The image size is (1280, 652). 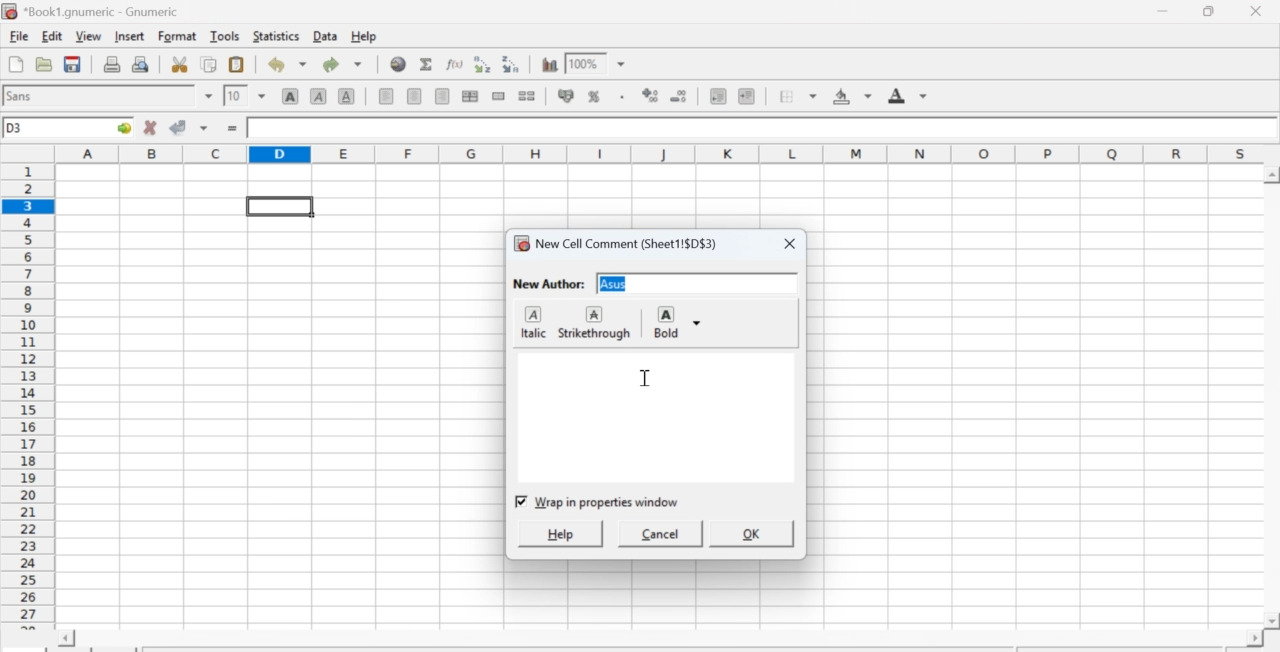 I want to click on scroll right, so click(x=1254, y=638).